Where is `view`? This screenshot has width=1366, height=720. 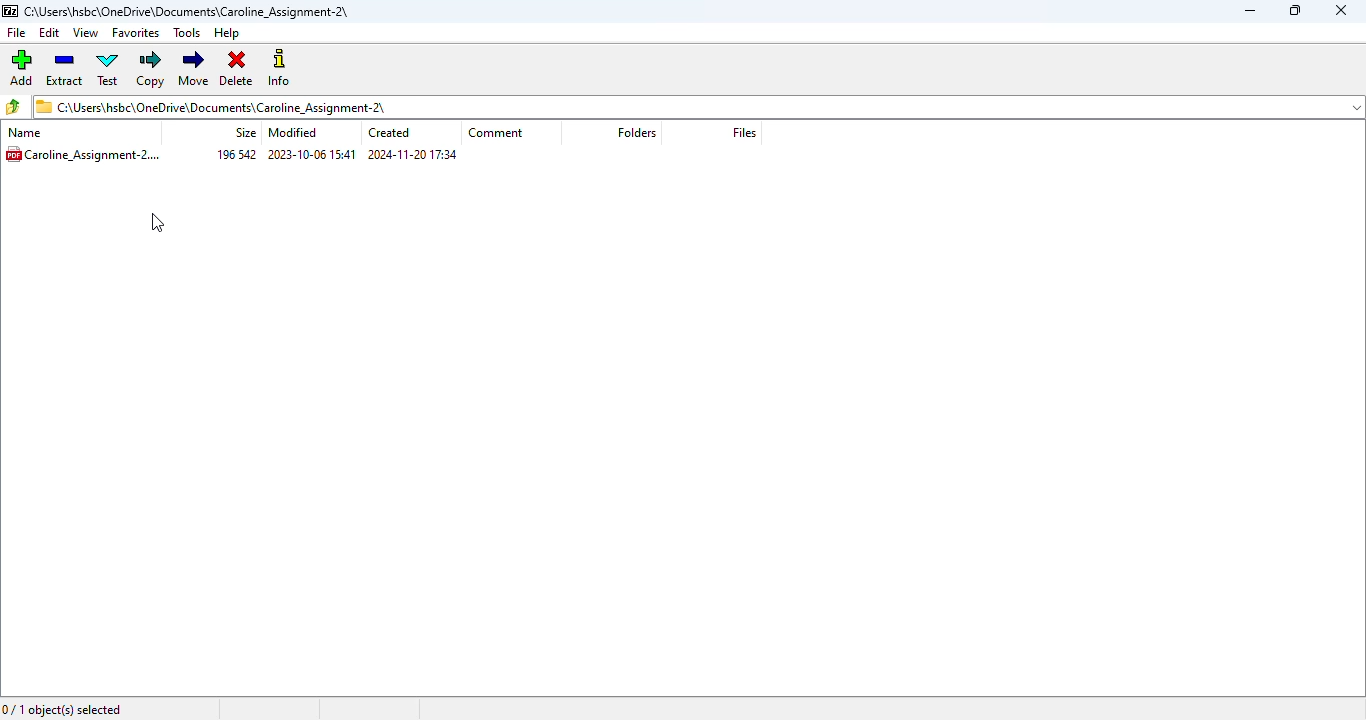 view is located at coordinates (87, 33).